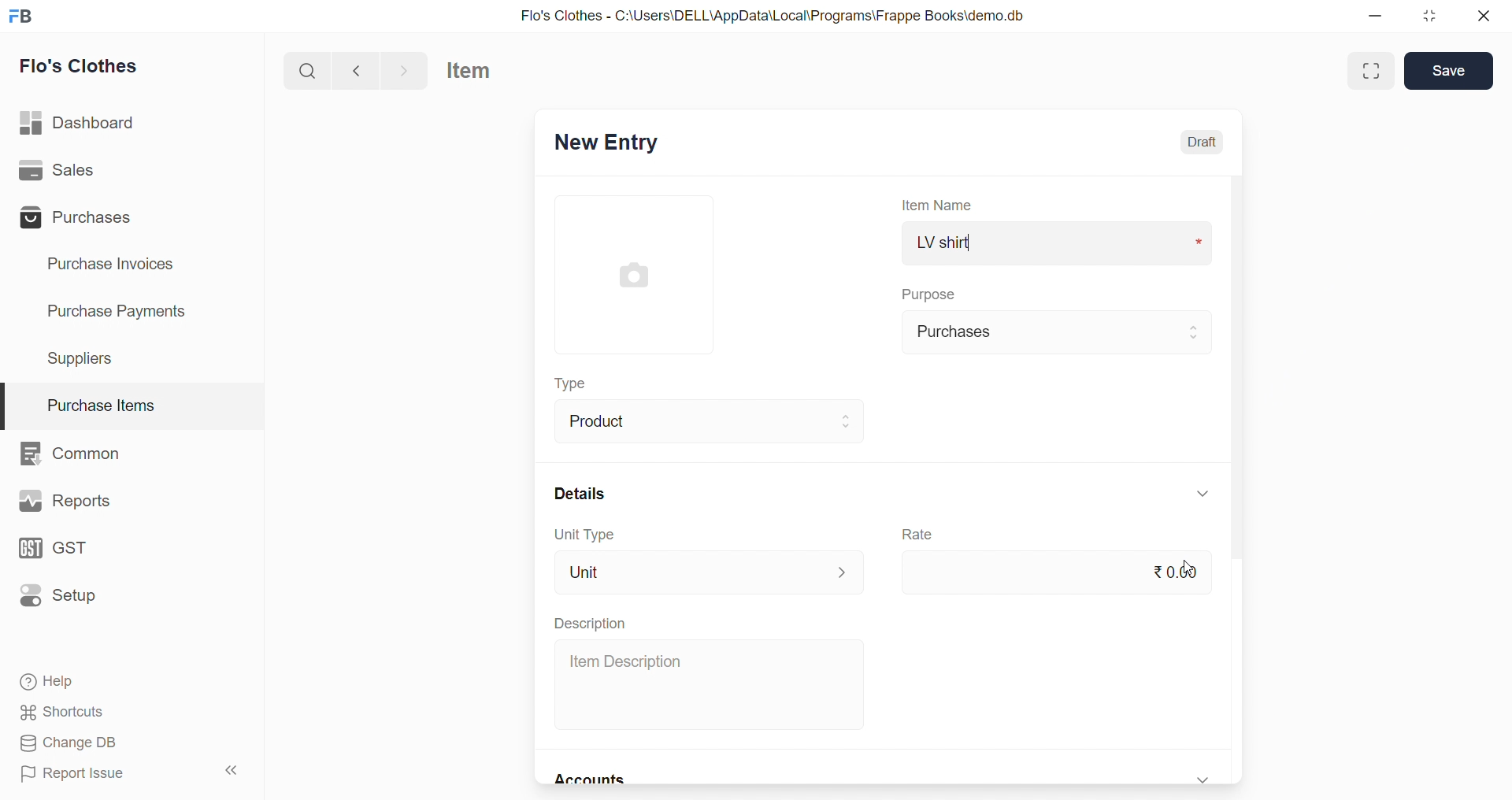  Describe the element at coordinates (87, 357) in the screenshot. I see `Suppliers` at that location.